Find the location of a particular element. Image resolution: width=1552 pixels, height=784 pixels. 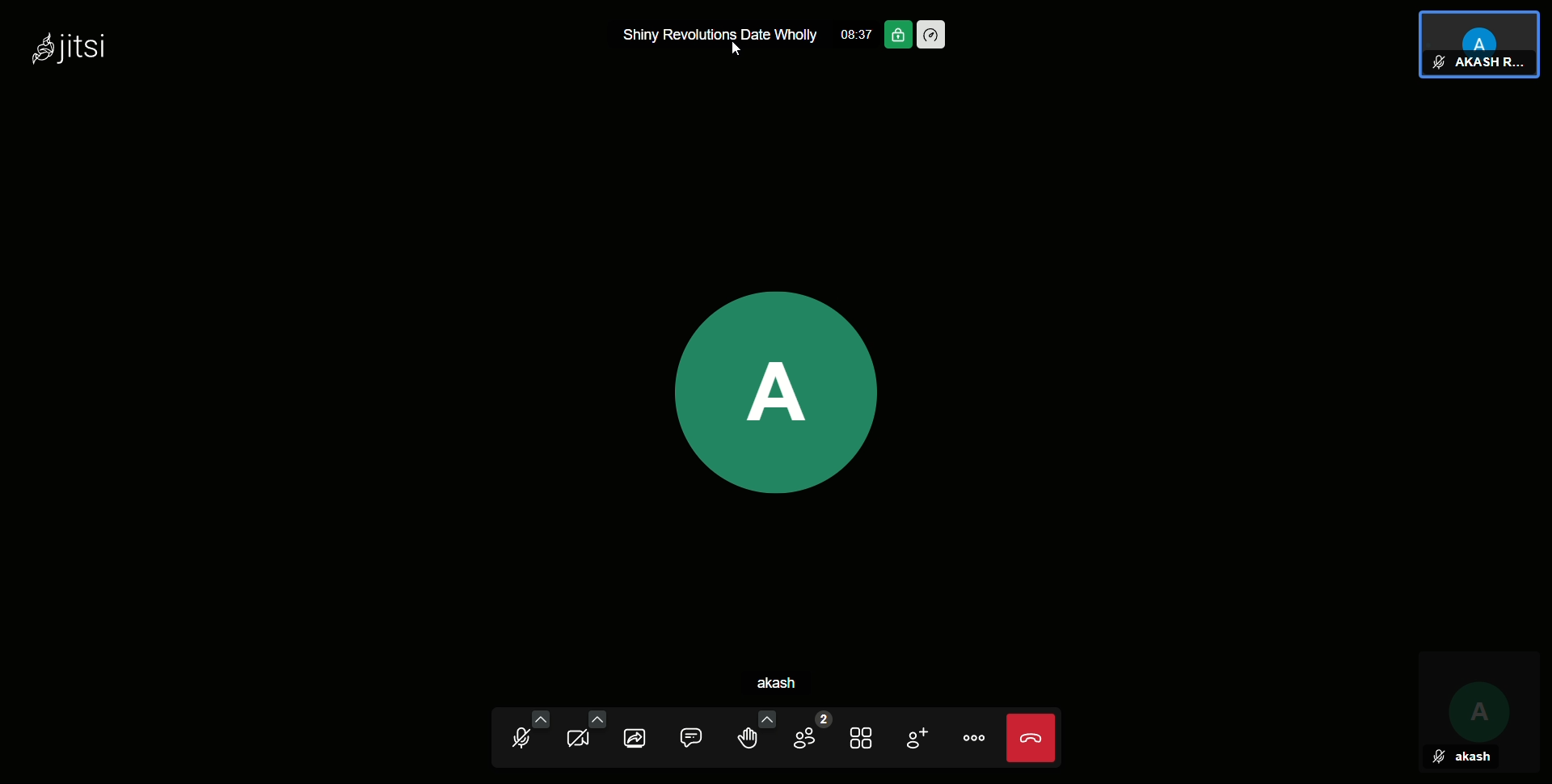

end to end encryption is enabled is located at coordinates (777, 364).